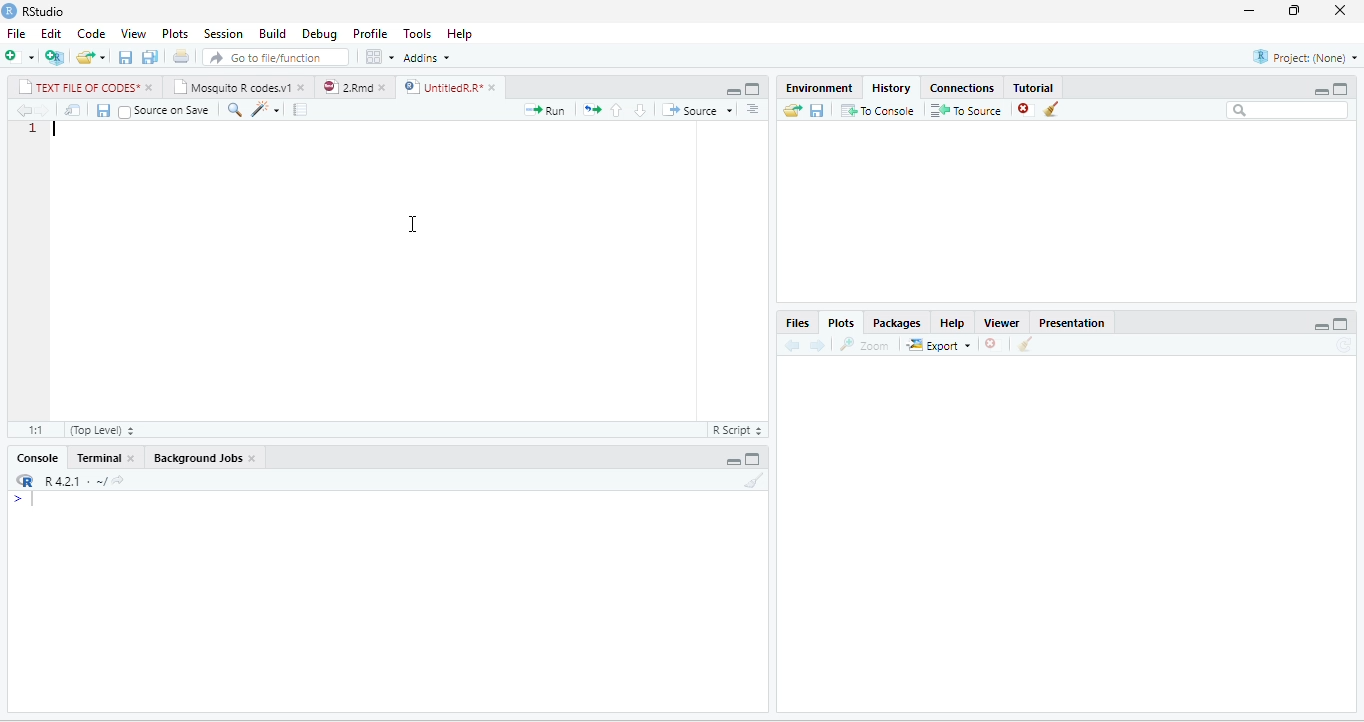 The width and height of the screenshot is (1364, 722). I want to click on Help, so click(953, 323).